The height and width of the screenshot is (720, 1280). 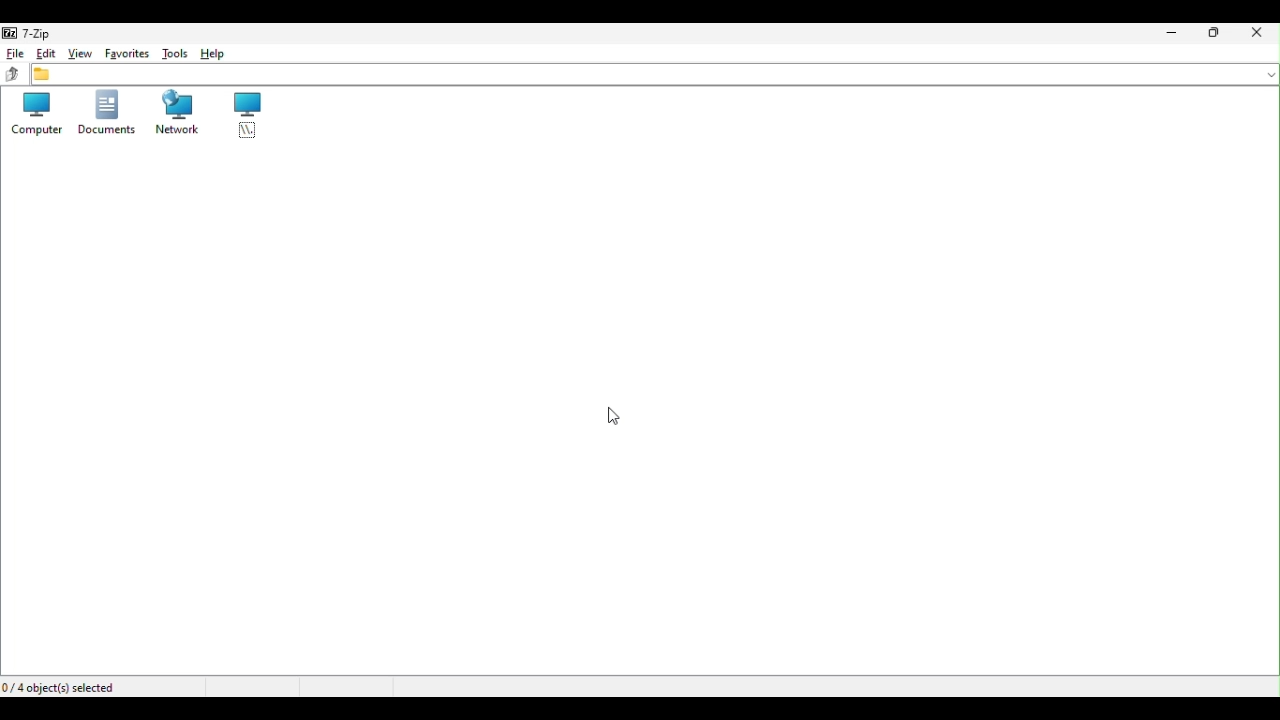 I want to click on up, so click(x=12, y=73).